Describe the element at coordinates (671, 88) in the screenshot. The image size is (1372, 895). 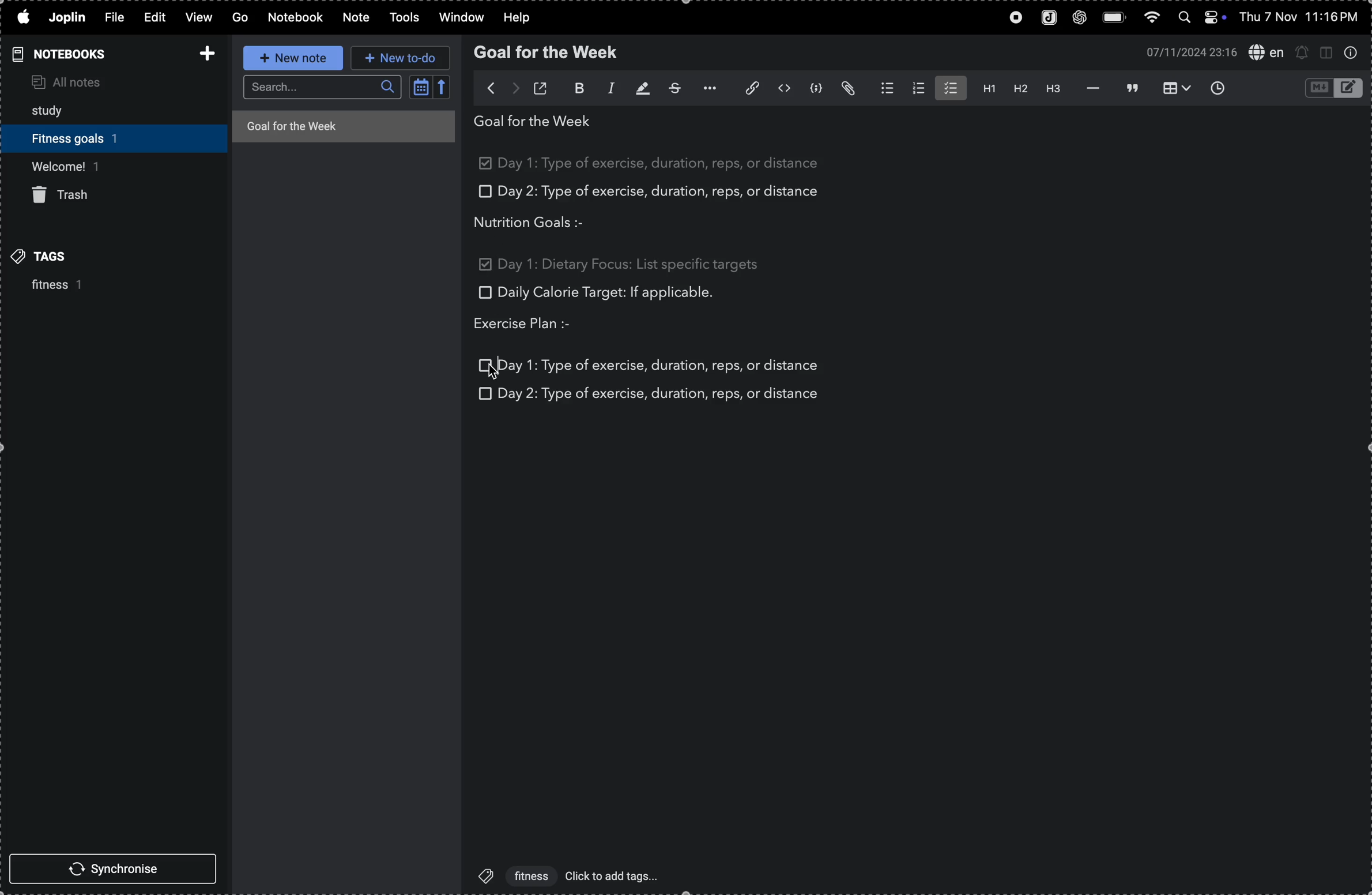
I see `strike through` at that location.